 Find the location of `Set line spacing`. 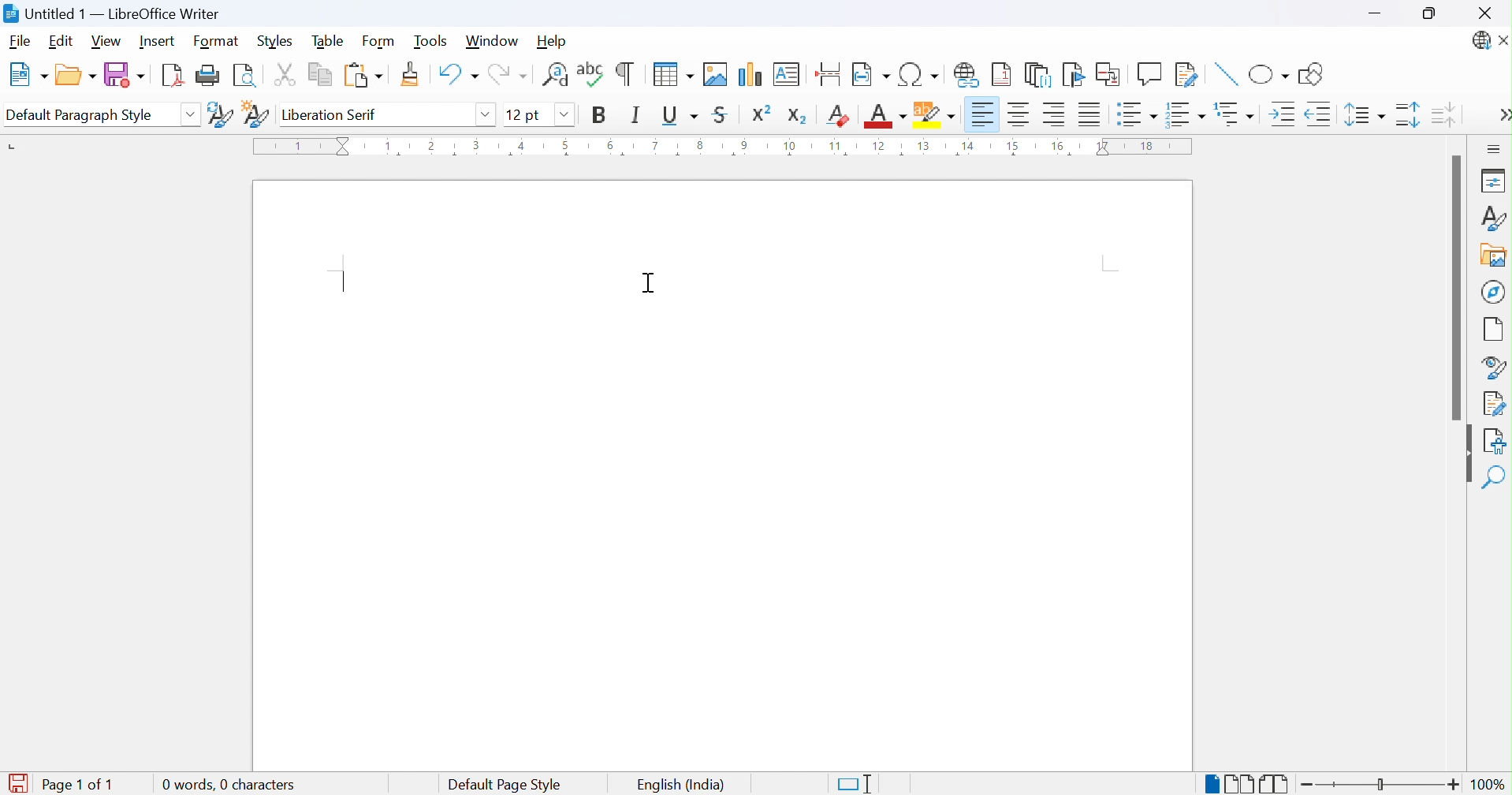

Set line spacing is located at coordinates (1365, 114).